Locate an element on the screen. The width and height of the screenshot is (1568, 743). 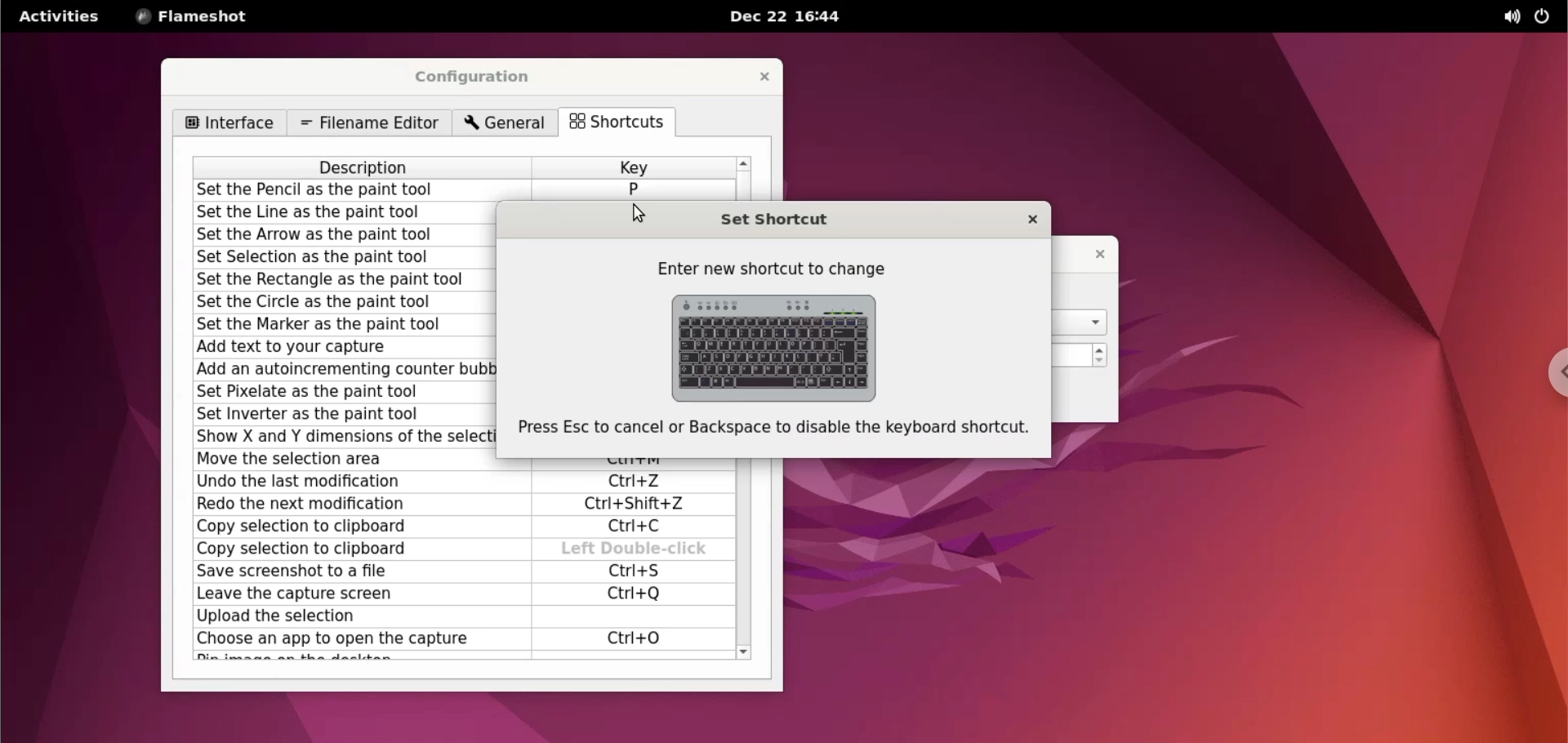
move the selection area is located at coordinates (341, 459).